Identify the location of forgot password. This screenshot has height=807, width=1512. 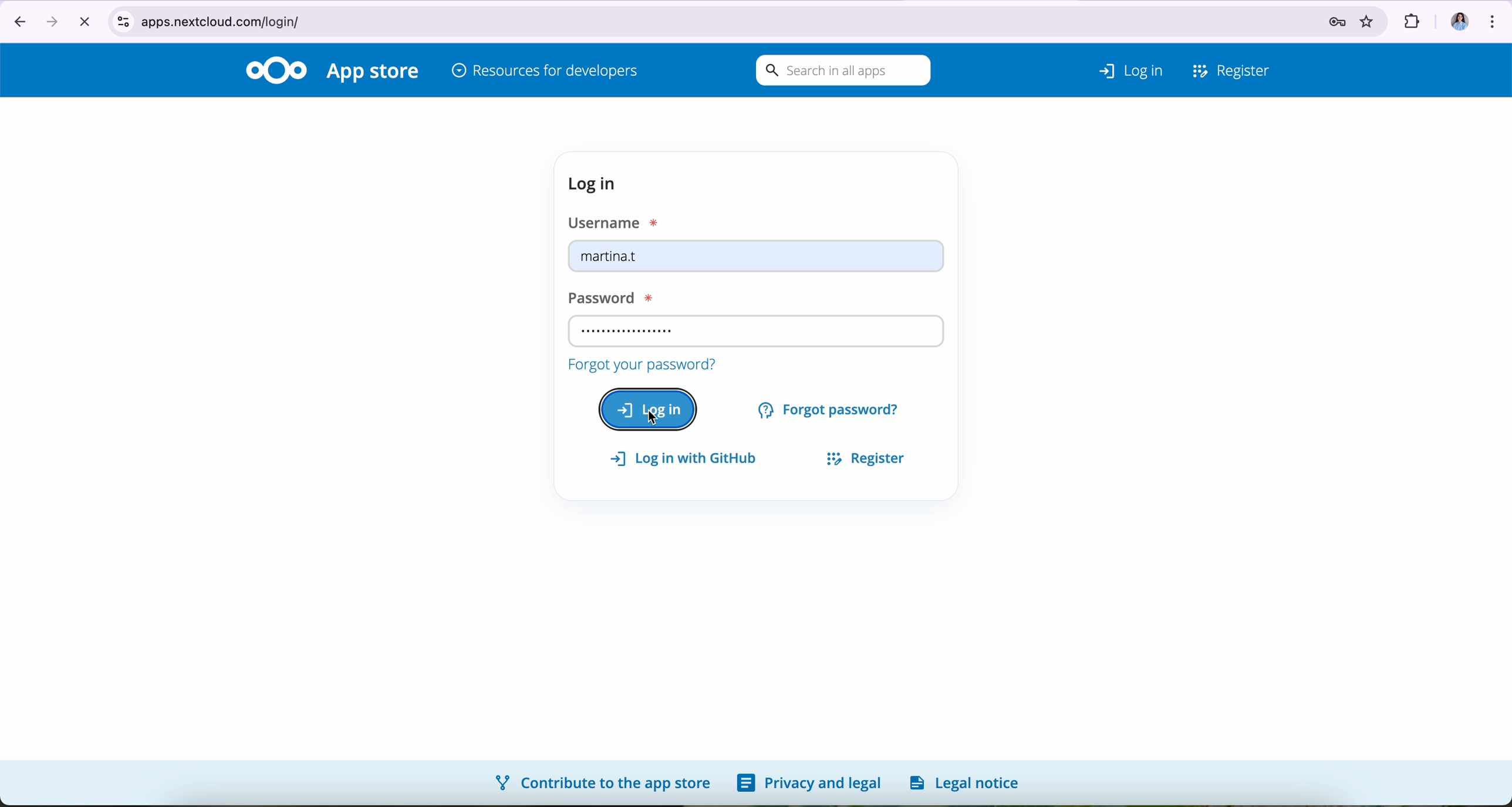
(831, 408).